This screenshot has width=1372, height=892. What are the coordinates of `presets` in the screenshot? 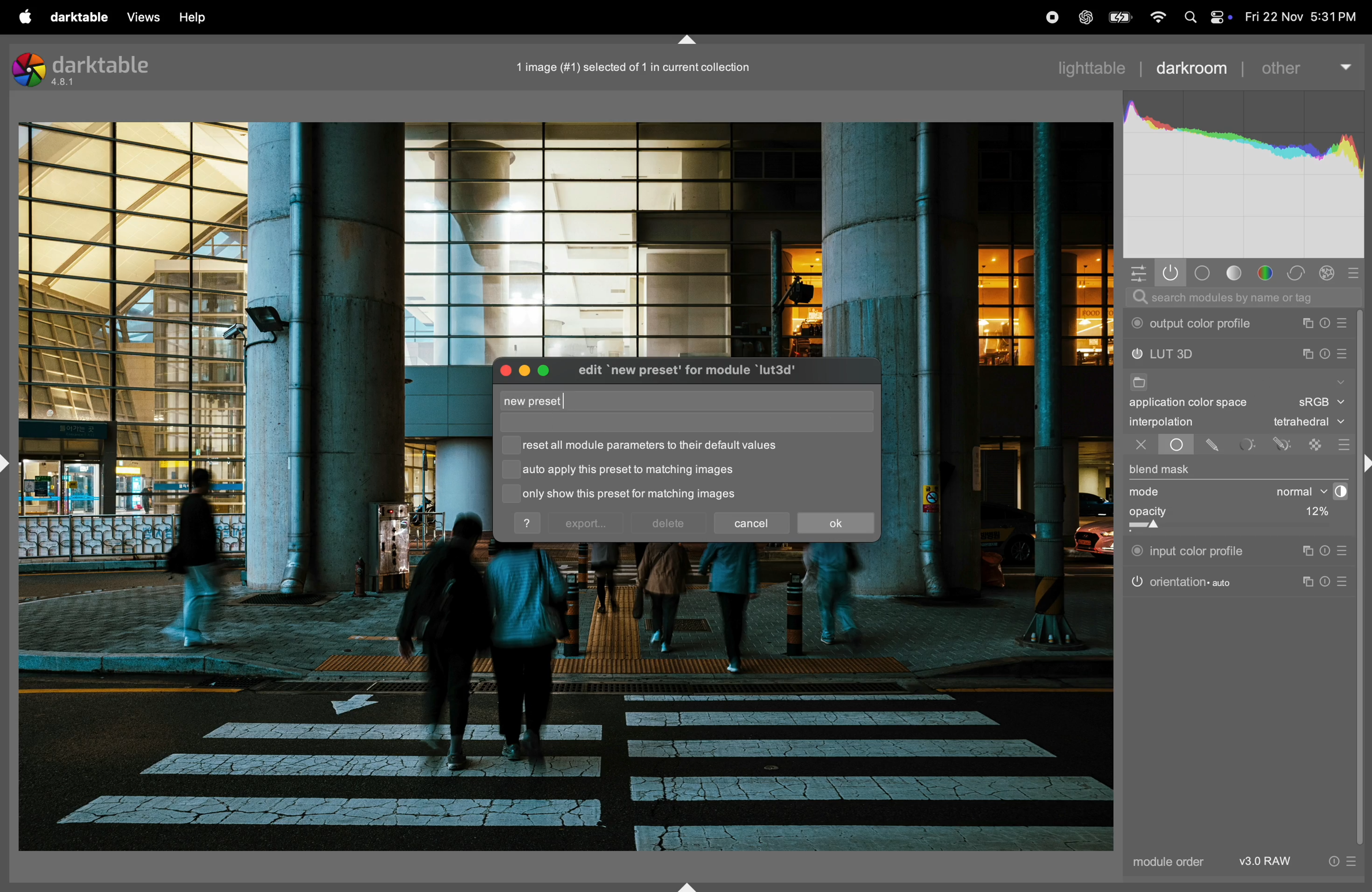 It's located at (1344, 356).